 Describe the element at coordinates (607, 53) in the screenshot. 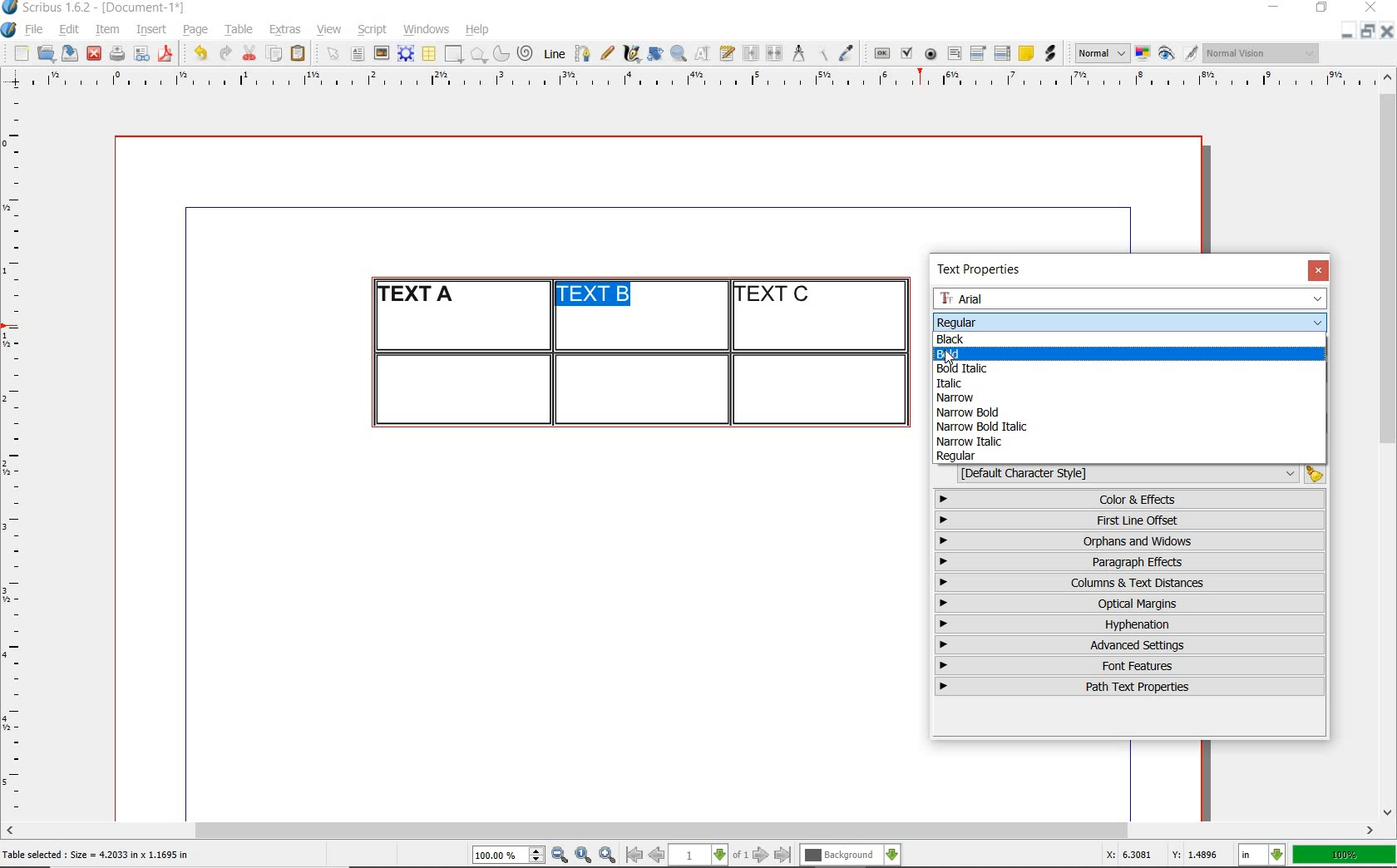

I see `freehand line` at that location.